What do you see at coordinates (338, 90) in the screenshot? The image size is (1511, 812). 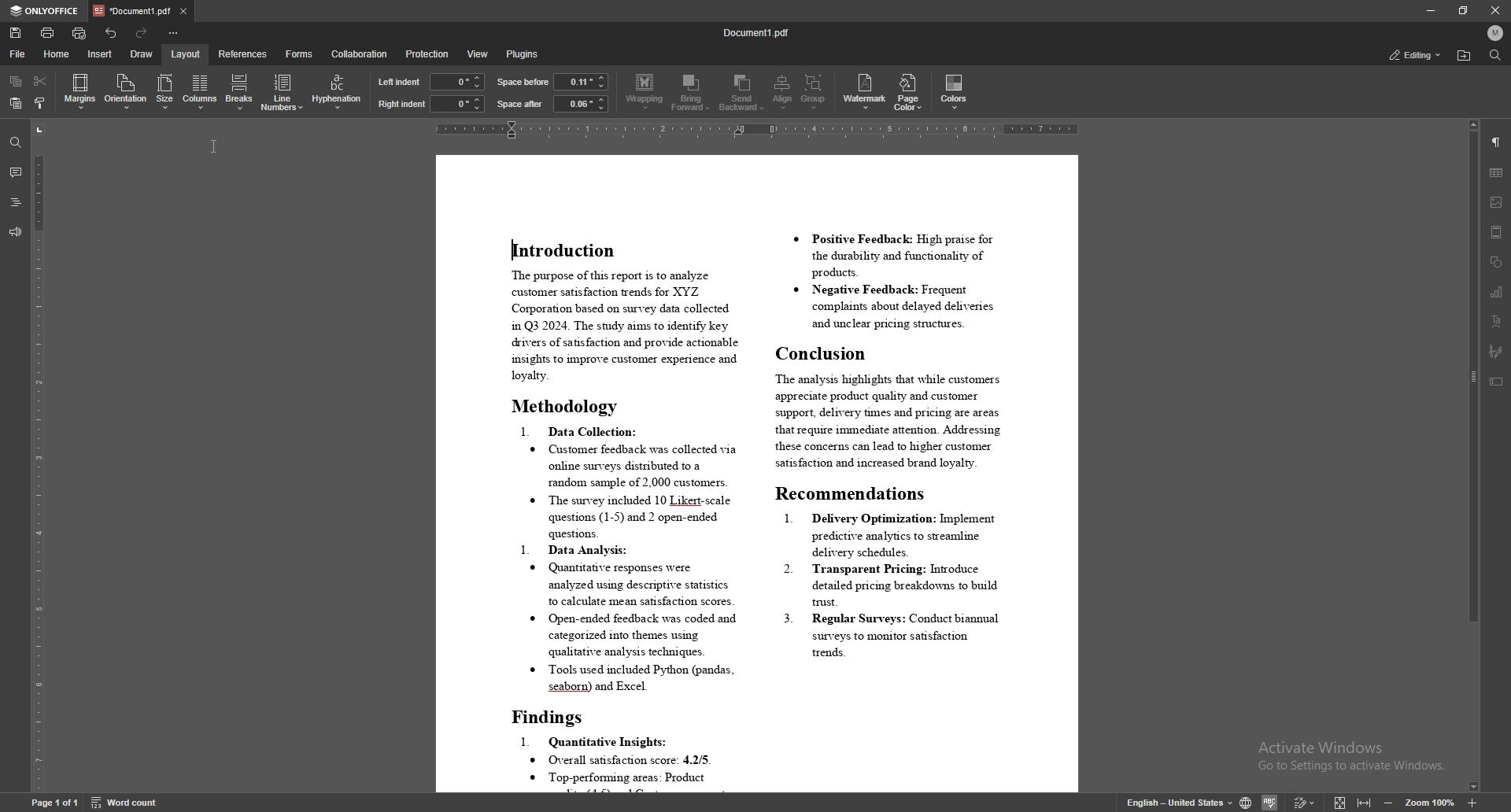 I see `hyphentation` at bounding box center [338, 90].